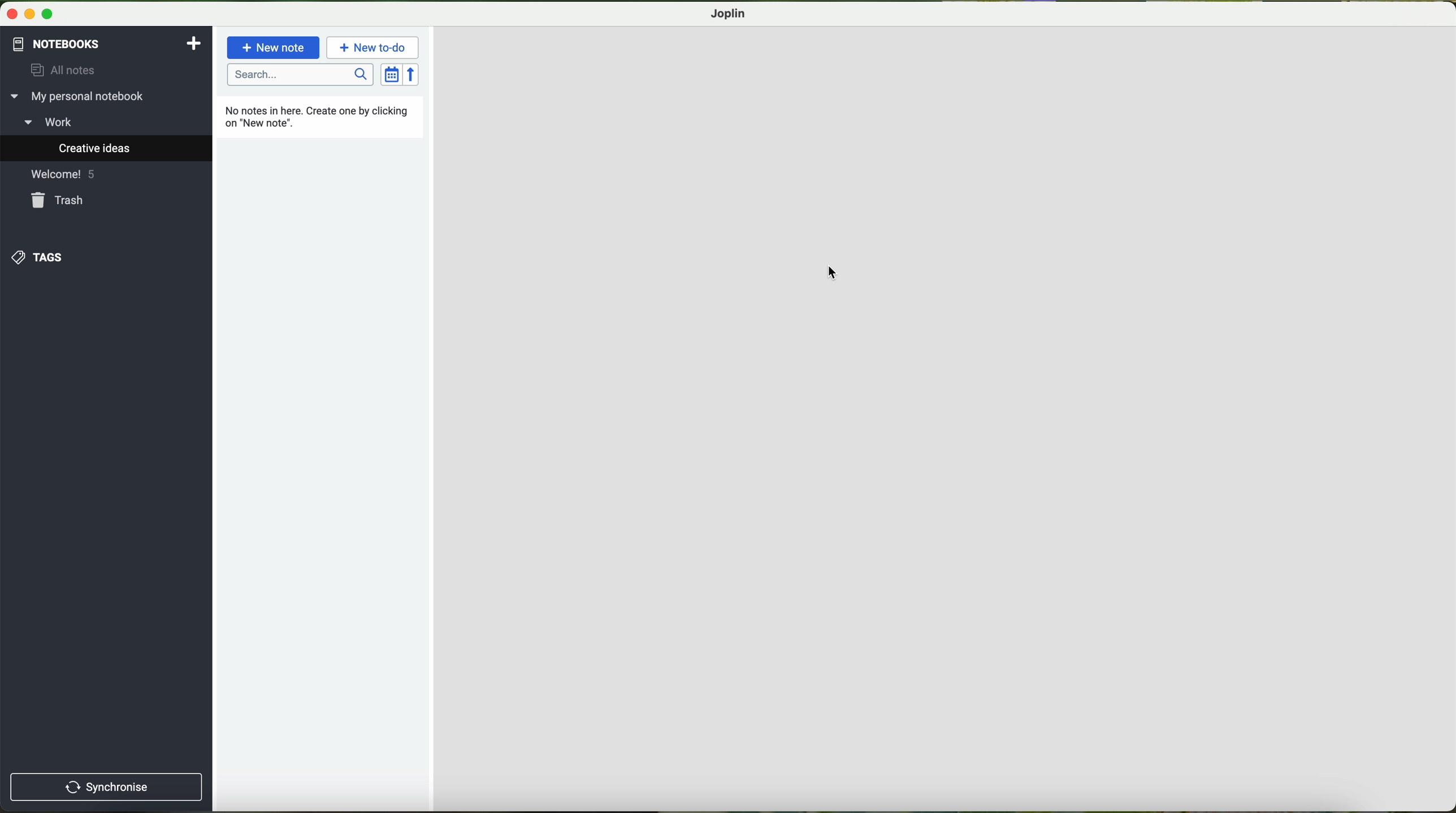 The height and width of the screenshot is (813, 1456). What do you see at coordinates (319, 116) in the screenshot?
I see `no notes in here. create one by clicking new note` at bounding box center [319, 116].